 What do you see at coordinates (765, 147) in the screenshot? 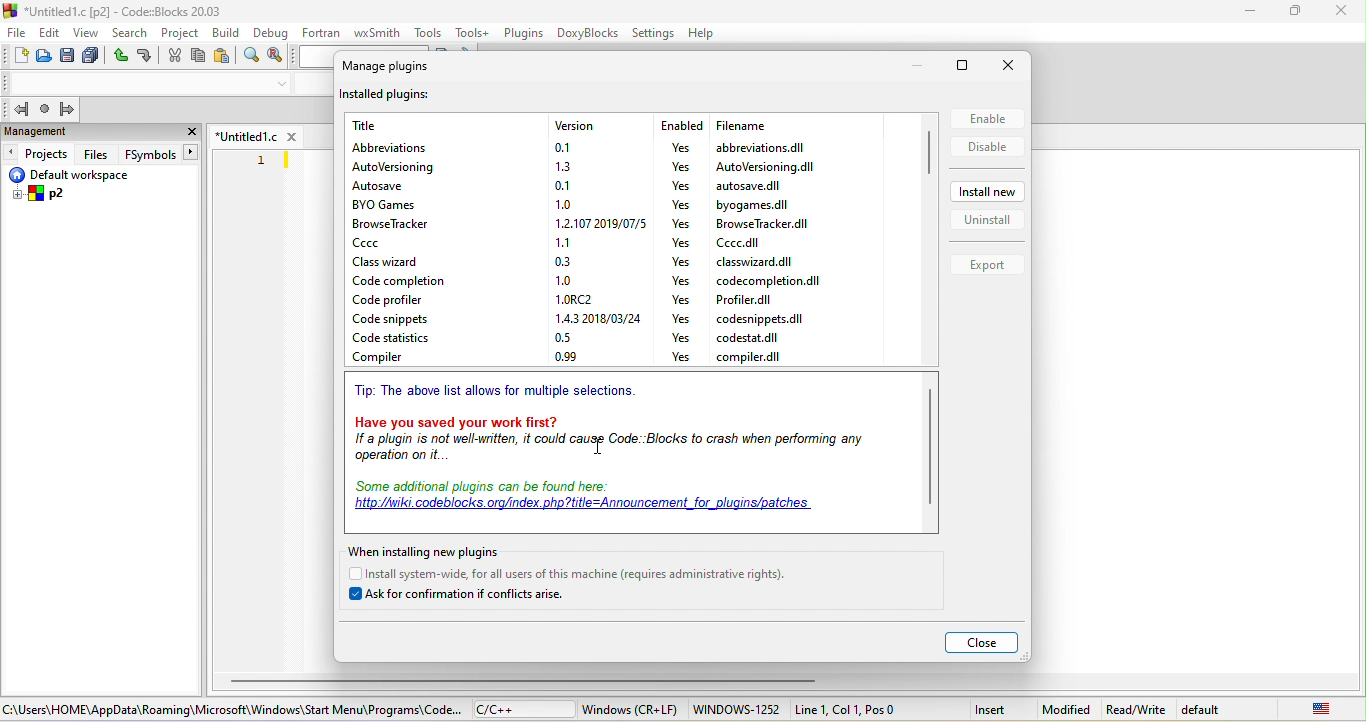
I see `abbreviations` at bounding box center [765, 147].